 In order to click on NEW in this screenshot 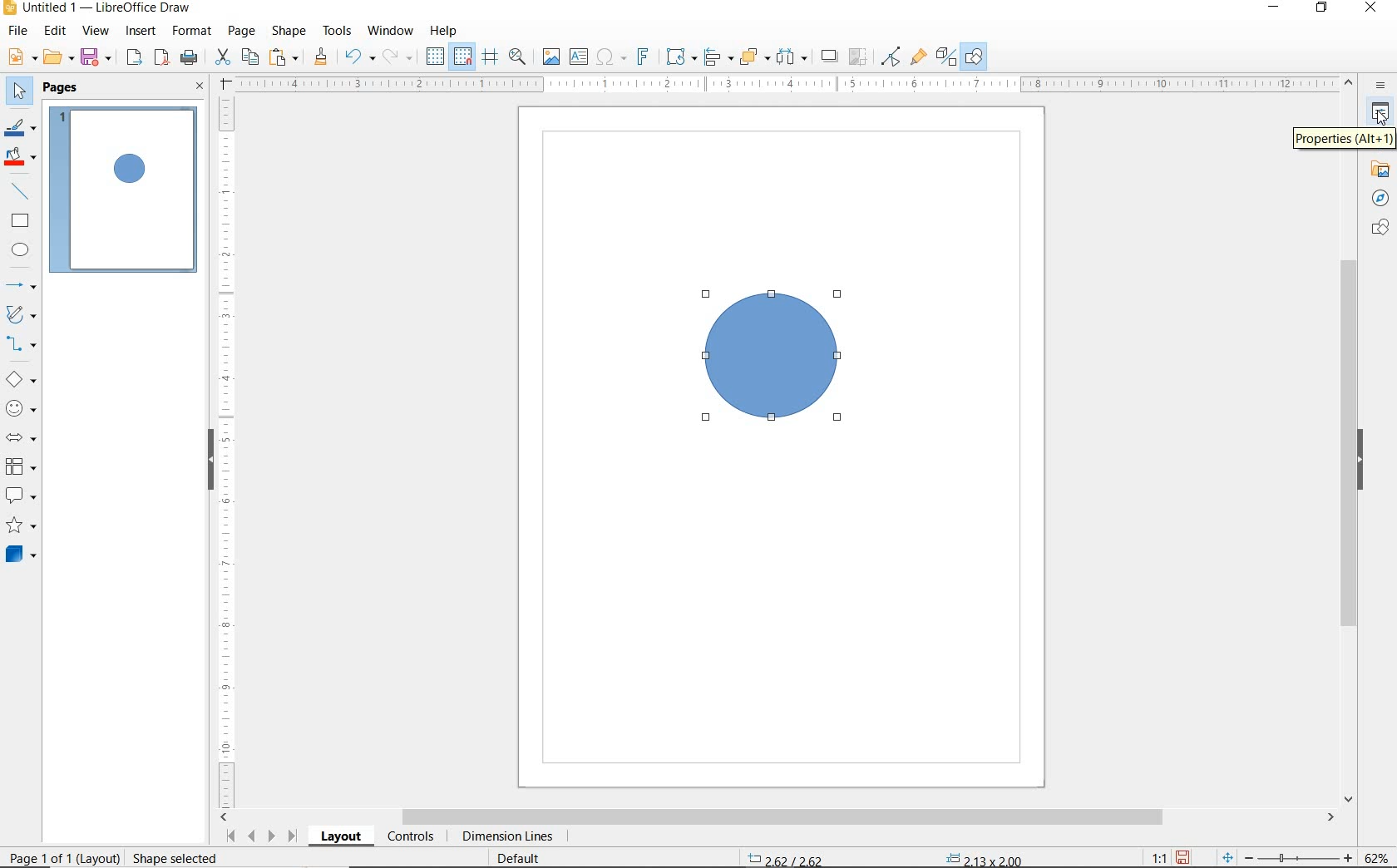, I will do `click(23, 57)`.